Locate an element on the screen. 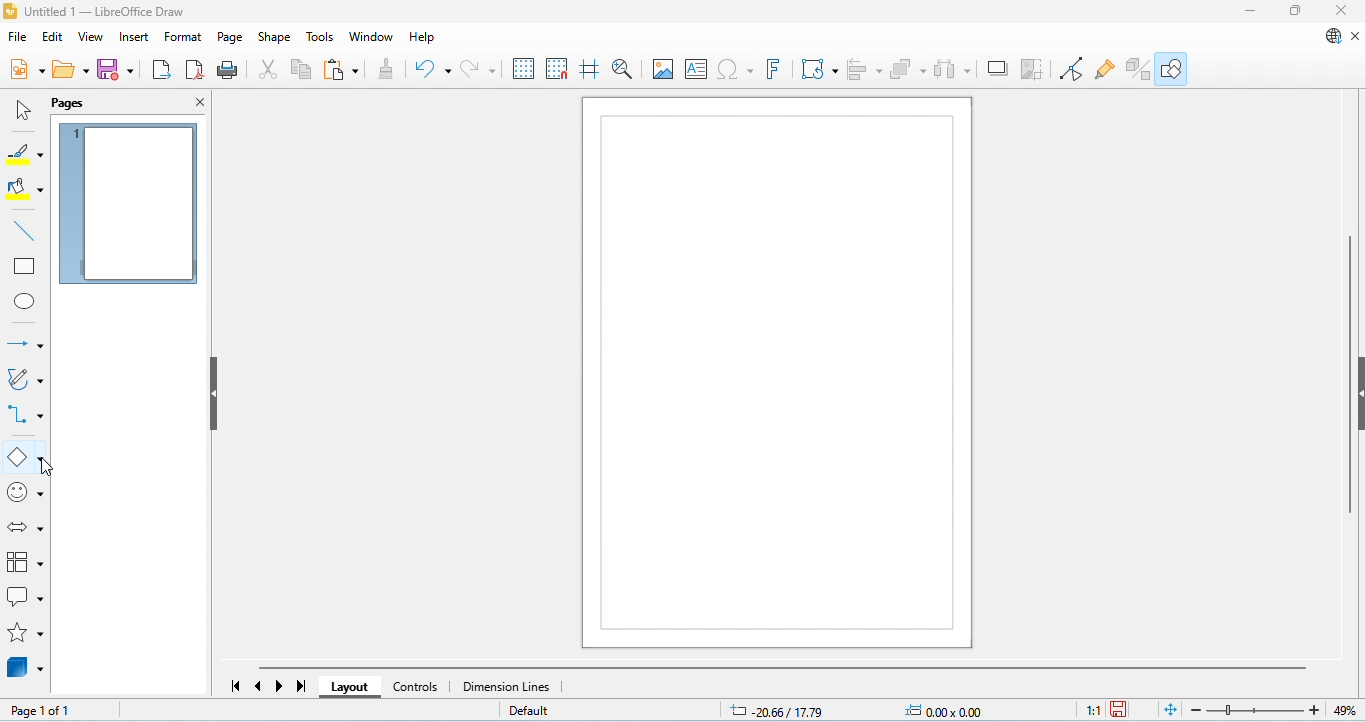  cut is located at coordinates (267, 70).